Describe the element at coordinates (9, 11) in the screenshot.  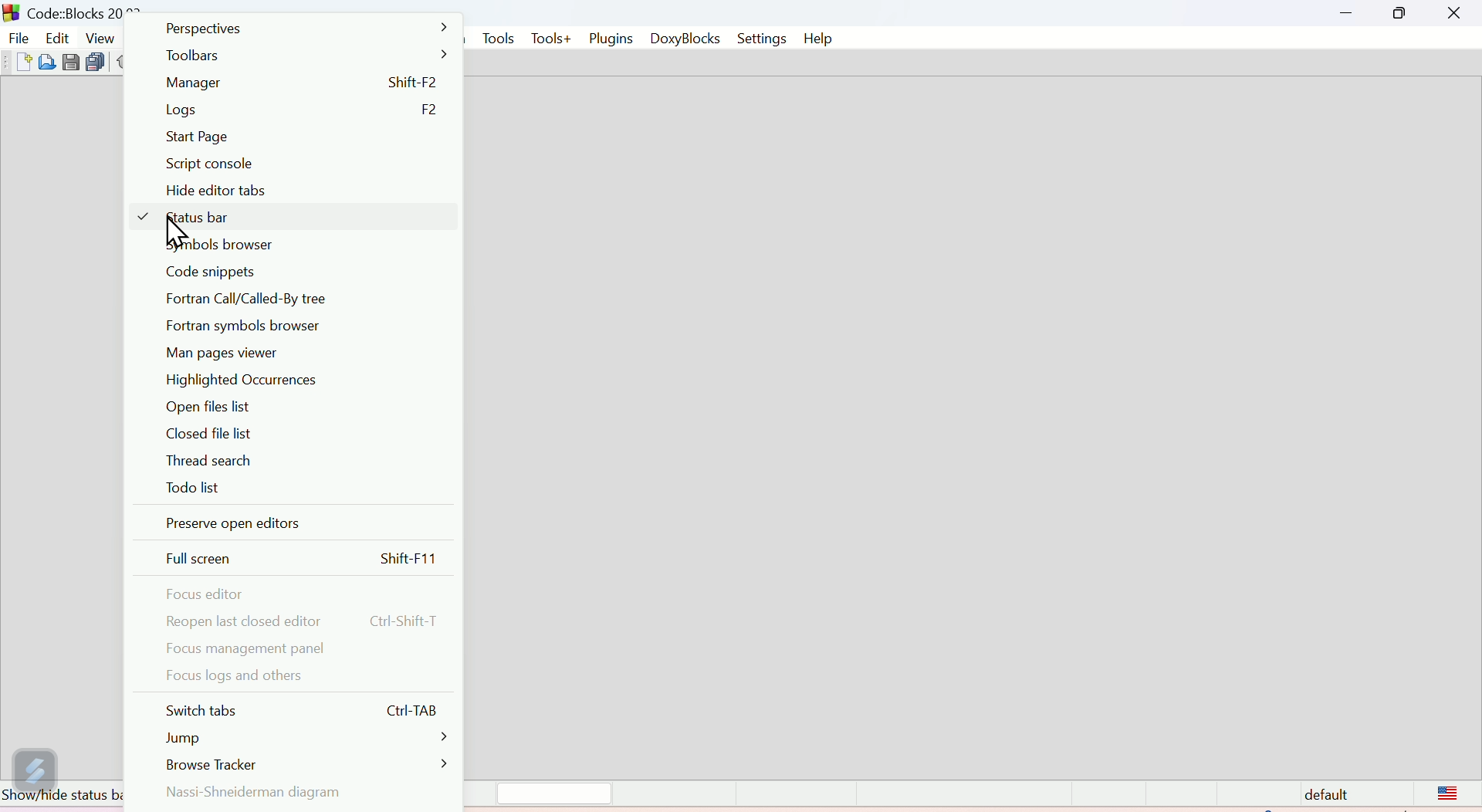
I see `` at that location.